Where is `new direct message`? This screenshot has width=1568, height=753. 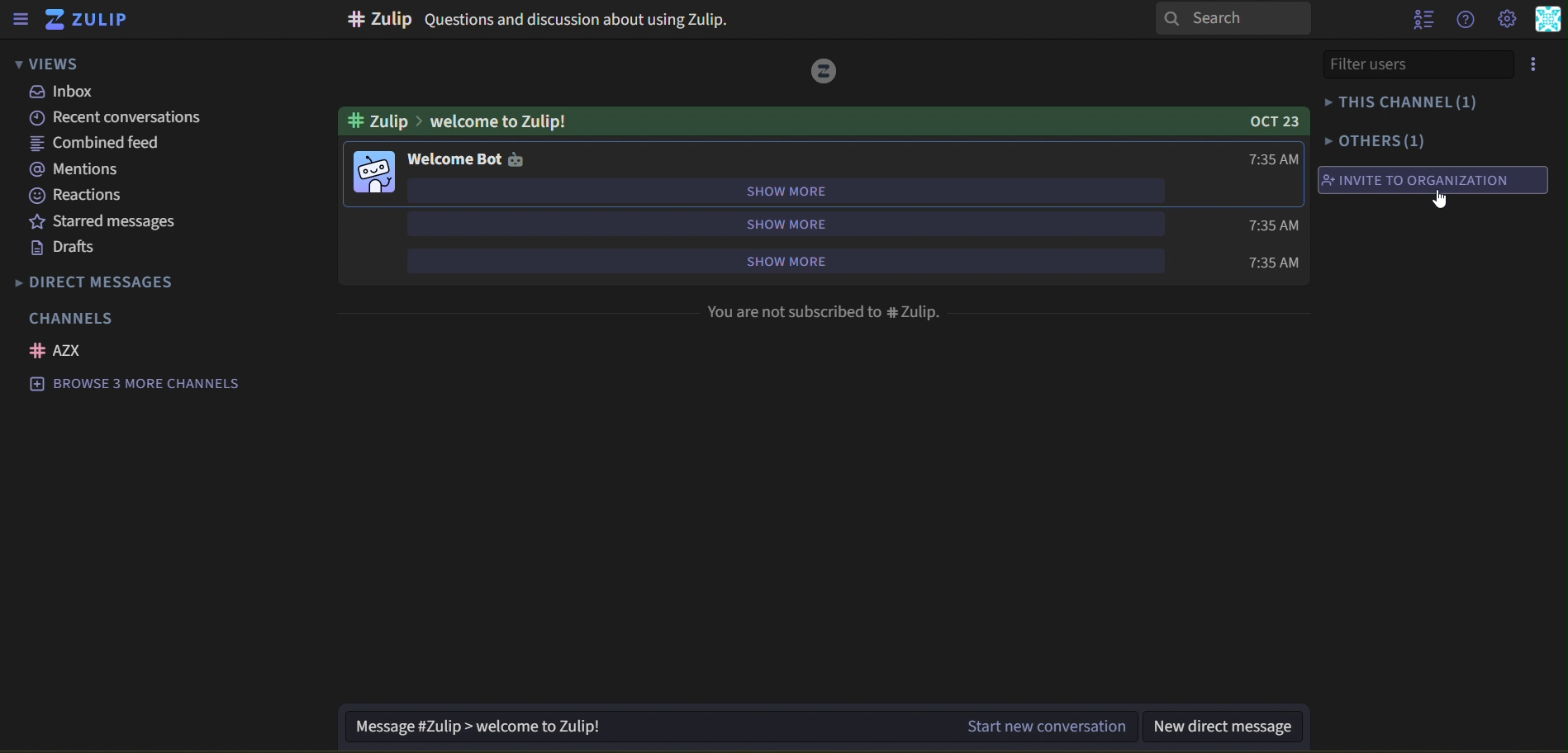
new direct message is located at coordinates (1233, 726).